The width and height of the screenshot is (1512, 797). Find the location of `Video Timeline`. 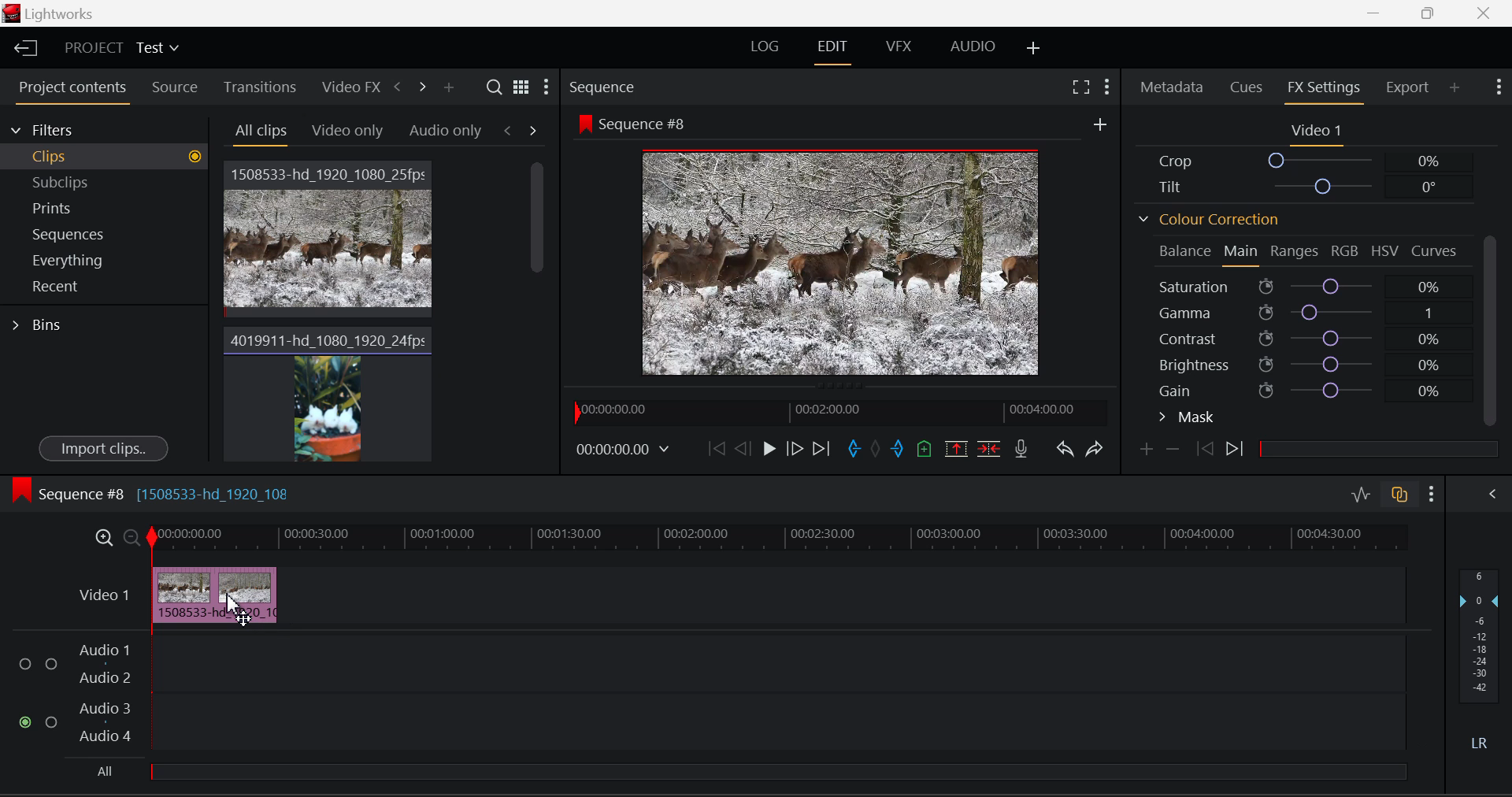

Video Timeline is located at coordinates (98, 597).